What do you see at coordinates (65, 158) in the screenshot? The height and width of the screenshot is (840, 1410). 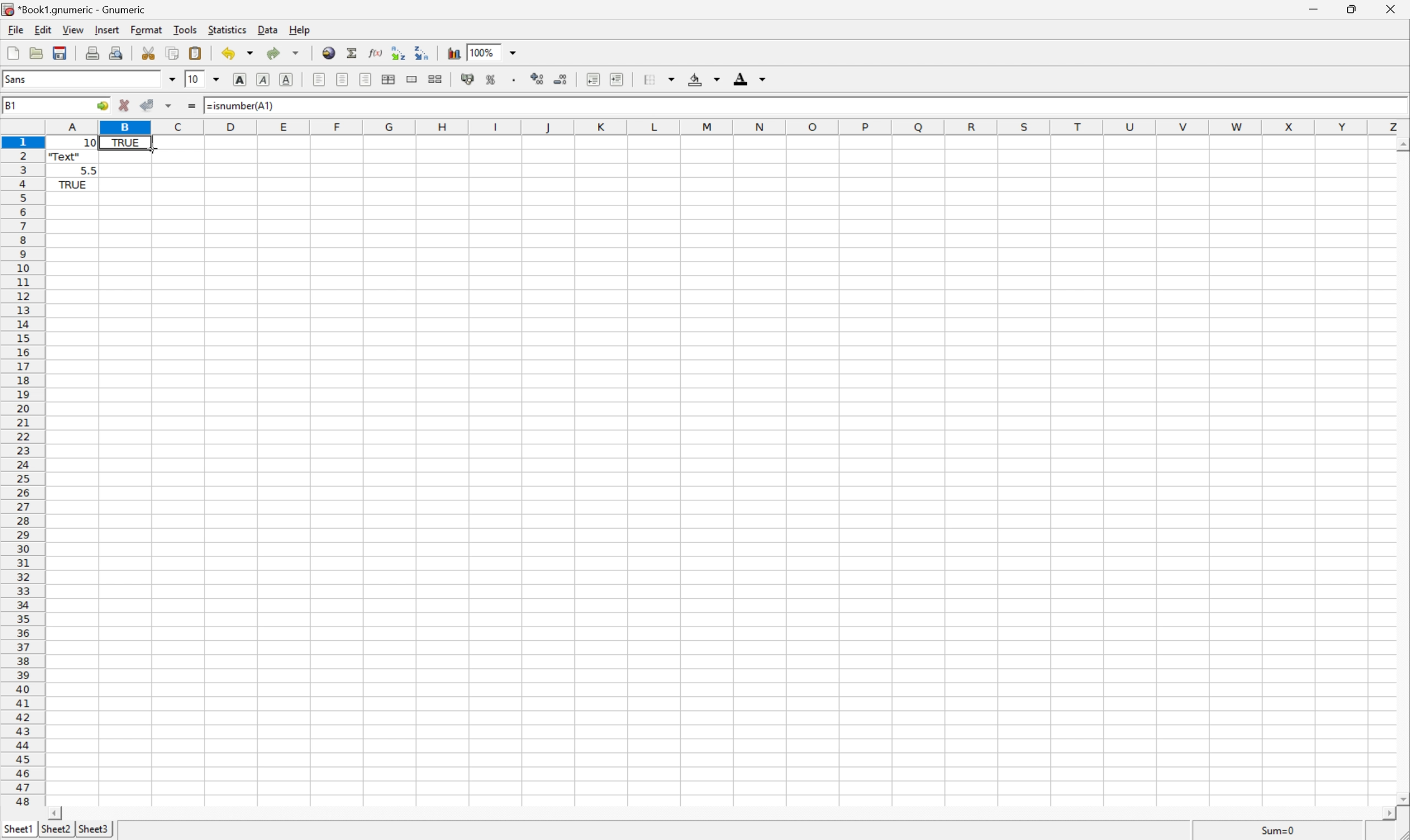 I see `"Text"` at bounding box center [65, 158].